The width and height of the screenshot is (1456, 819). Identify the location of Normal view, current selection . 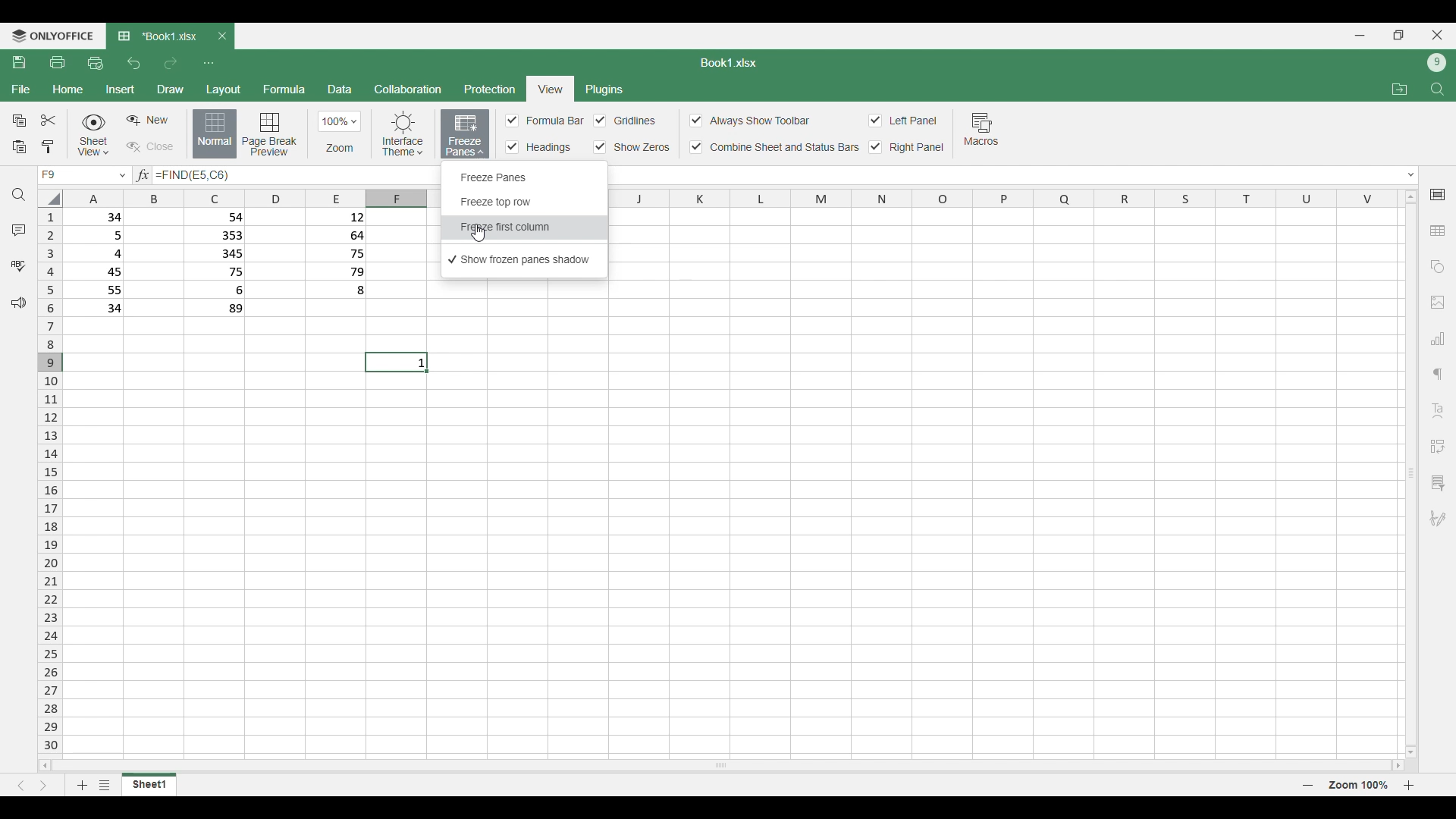
(215, 134).